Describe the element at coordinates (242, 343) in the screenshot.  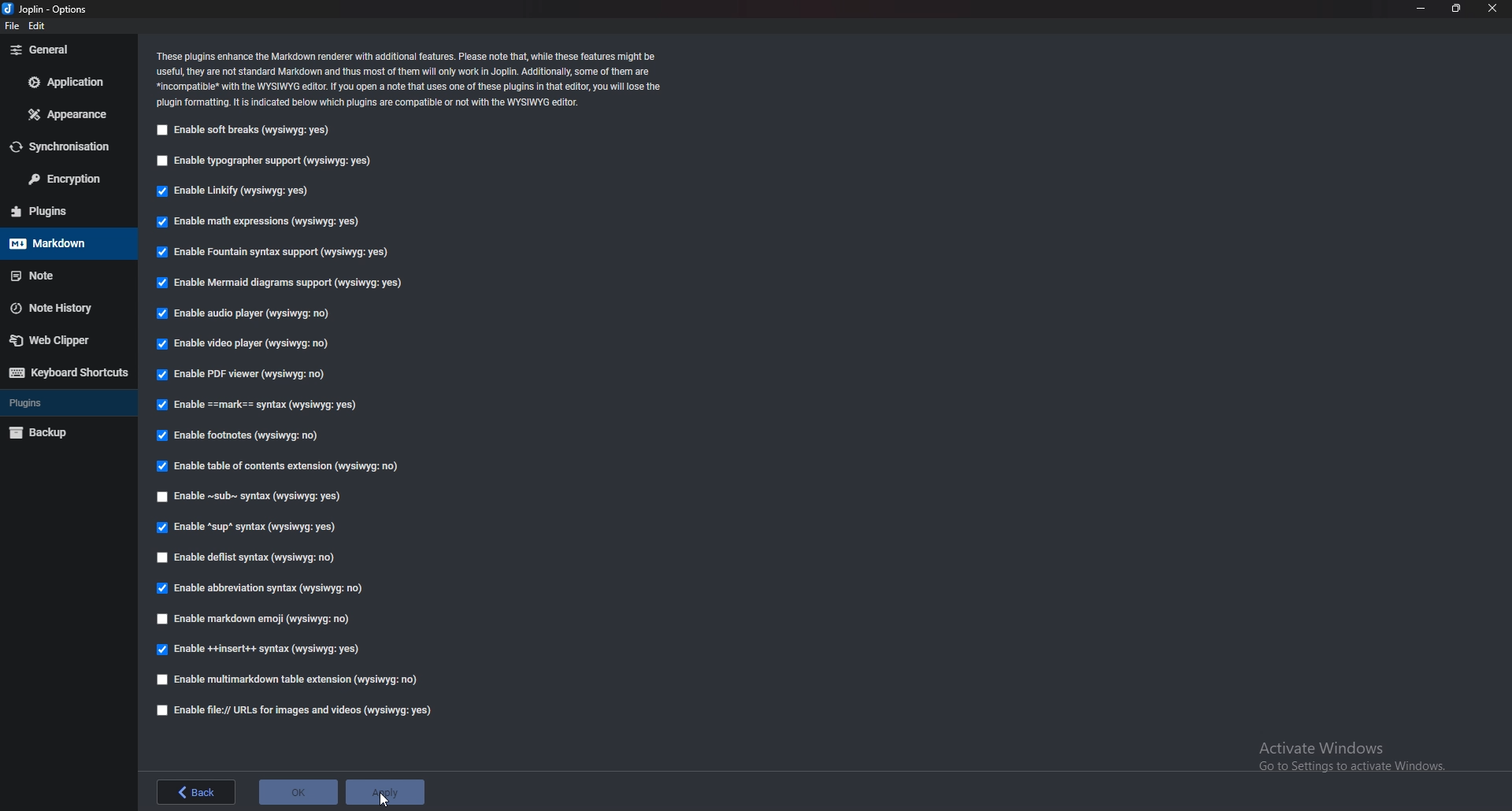
I see `enable video player` at that location.